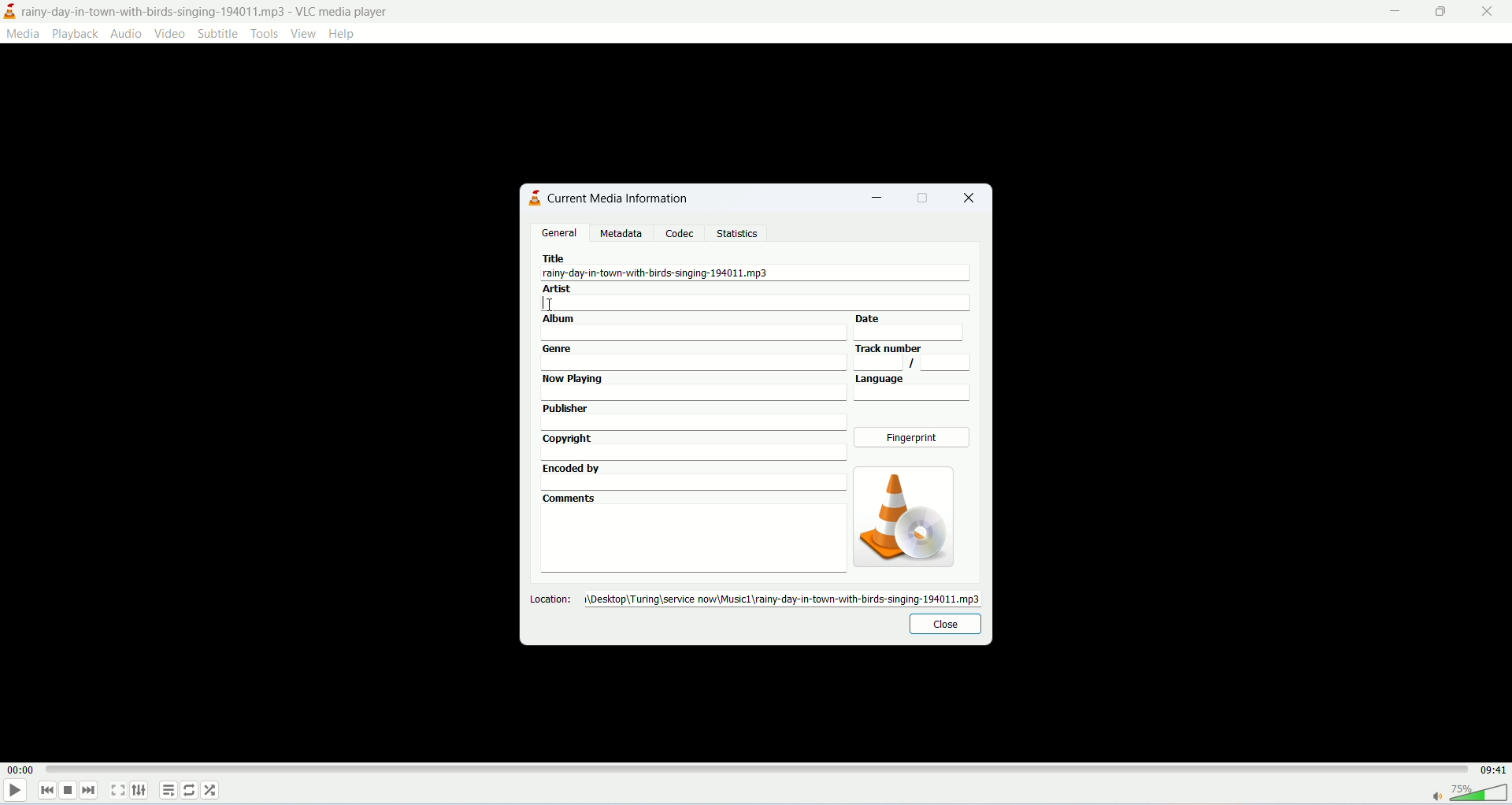 The image size is (1512, 805). I want to click on logo, so click(9, 11).